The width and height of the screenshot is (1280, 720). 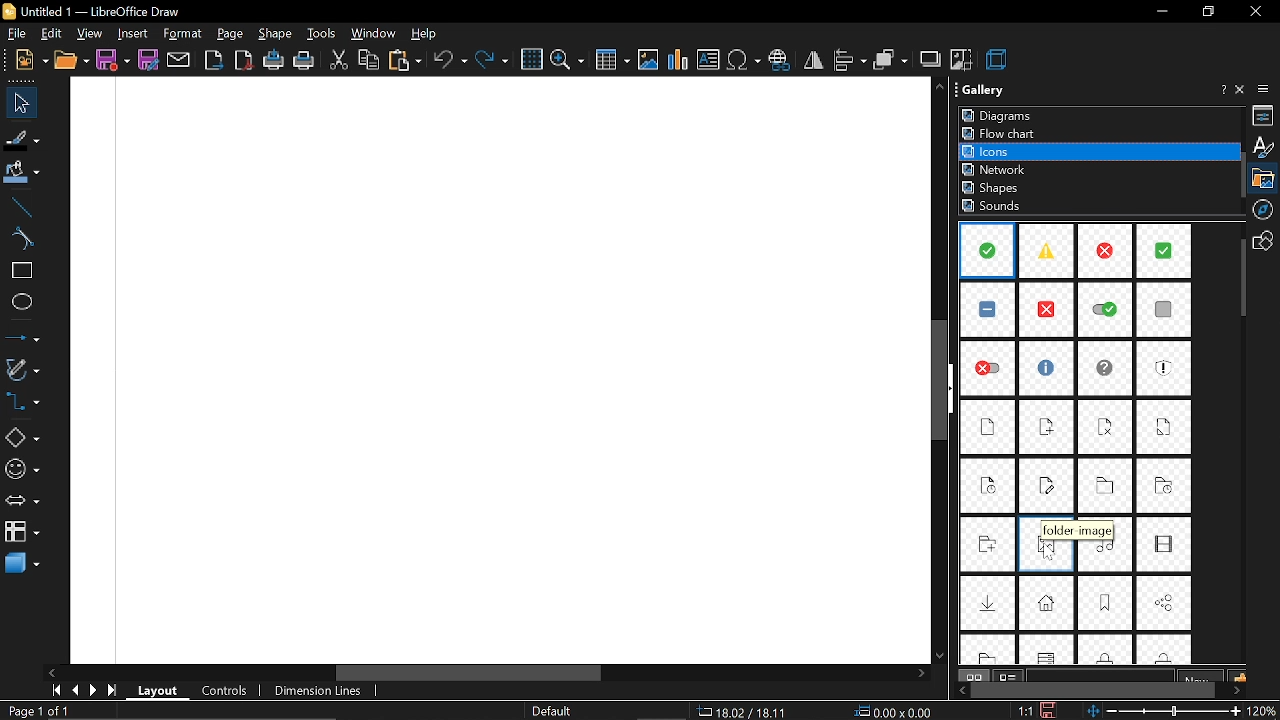 I want to click on scroll left, so click(x=50, y=673).